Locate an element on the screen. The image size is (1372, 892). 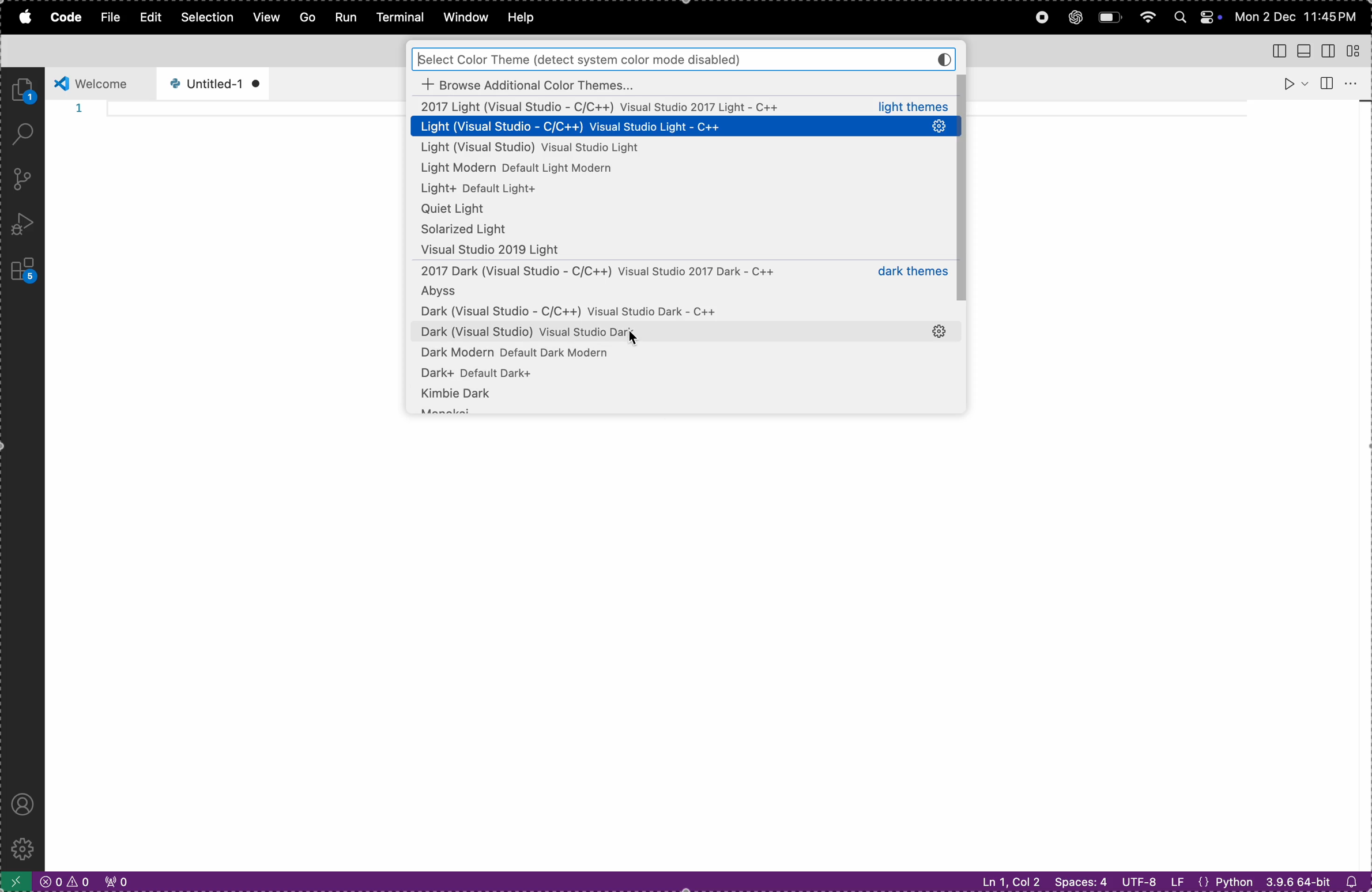
python is located at coordinates (1228, 881).